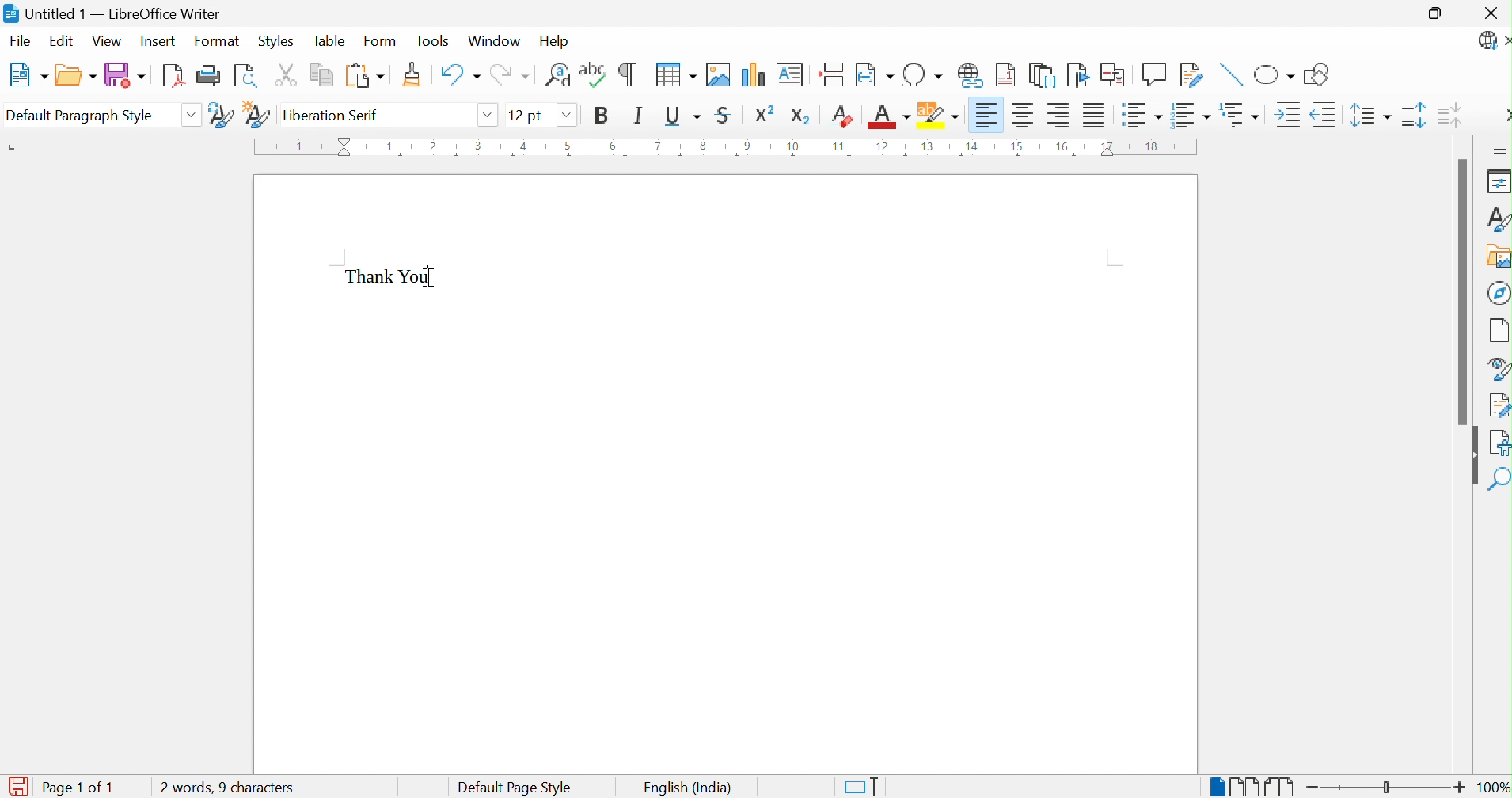 The height and width of the screenshot is (798, 1512). I want to click on Single-page View, so click(1212, 785).